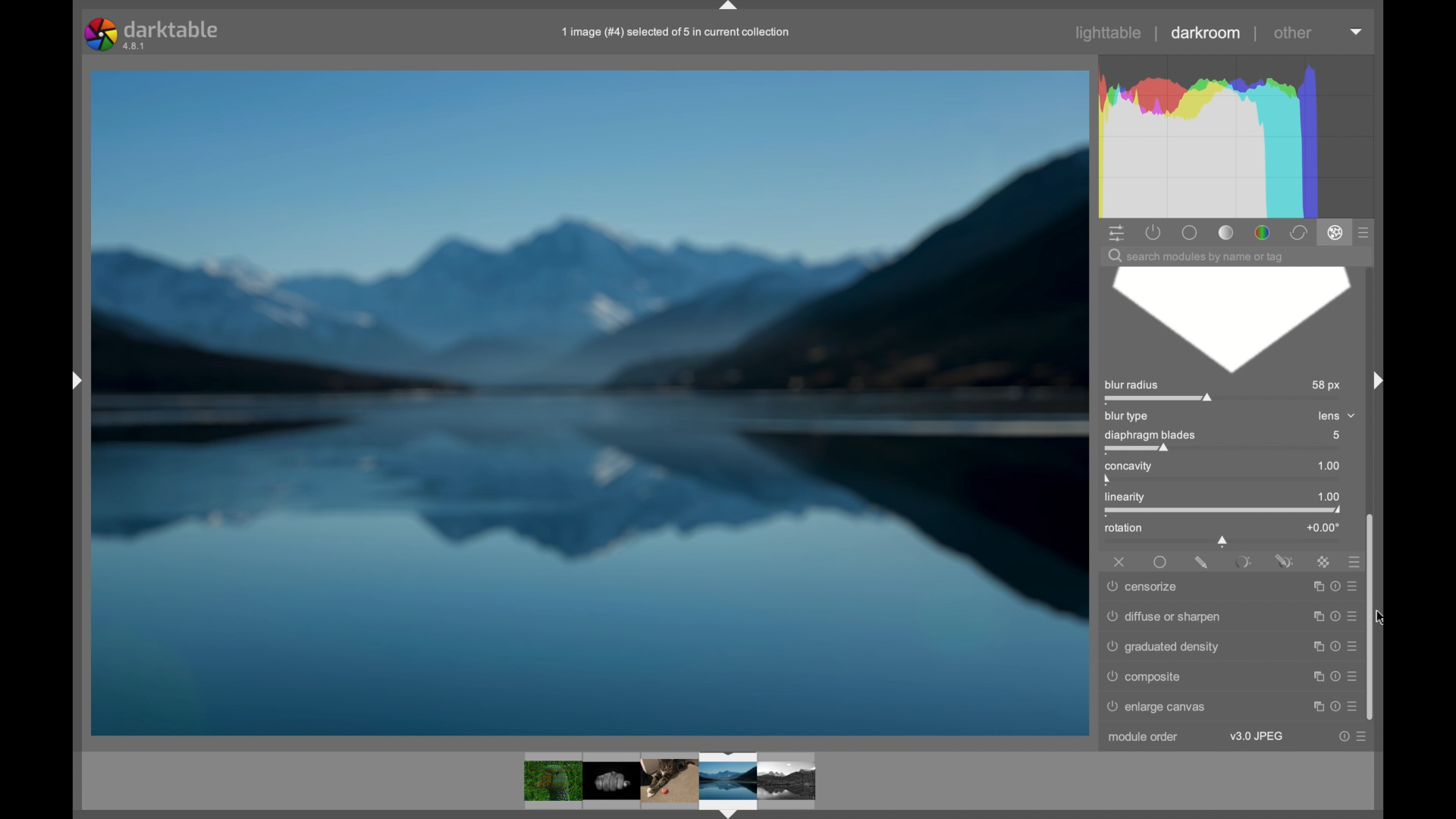 The width and height of the screenshot is (1456, 819). I want to click on drag handle, so click(730, 7).